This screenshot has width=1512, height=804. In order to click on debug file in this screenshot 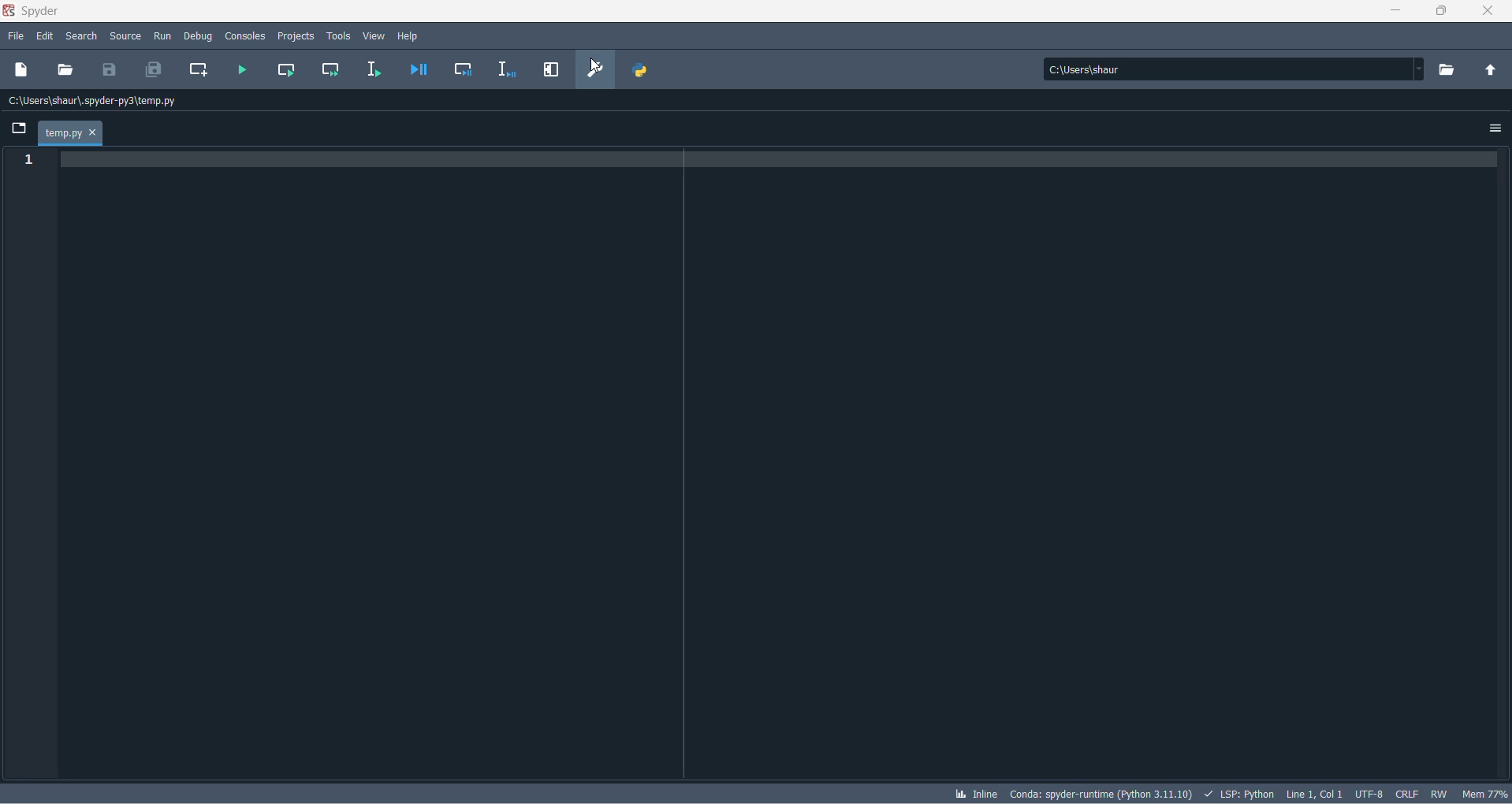, I will do `click(415, 71)`.